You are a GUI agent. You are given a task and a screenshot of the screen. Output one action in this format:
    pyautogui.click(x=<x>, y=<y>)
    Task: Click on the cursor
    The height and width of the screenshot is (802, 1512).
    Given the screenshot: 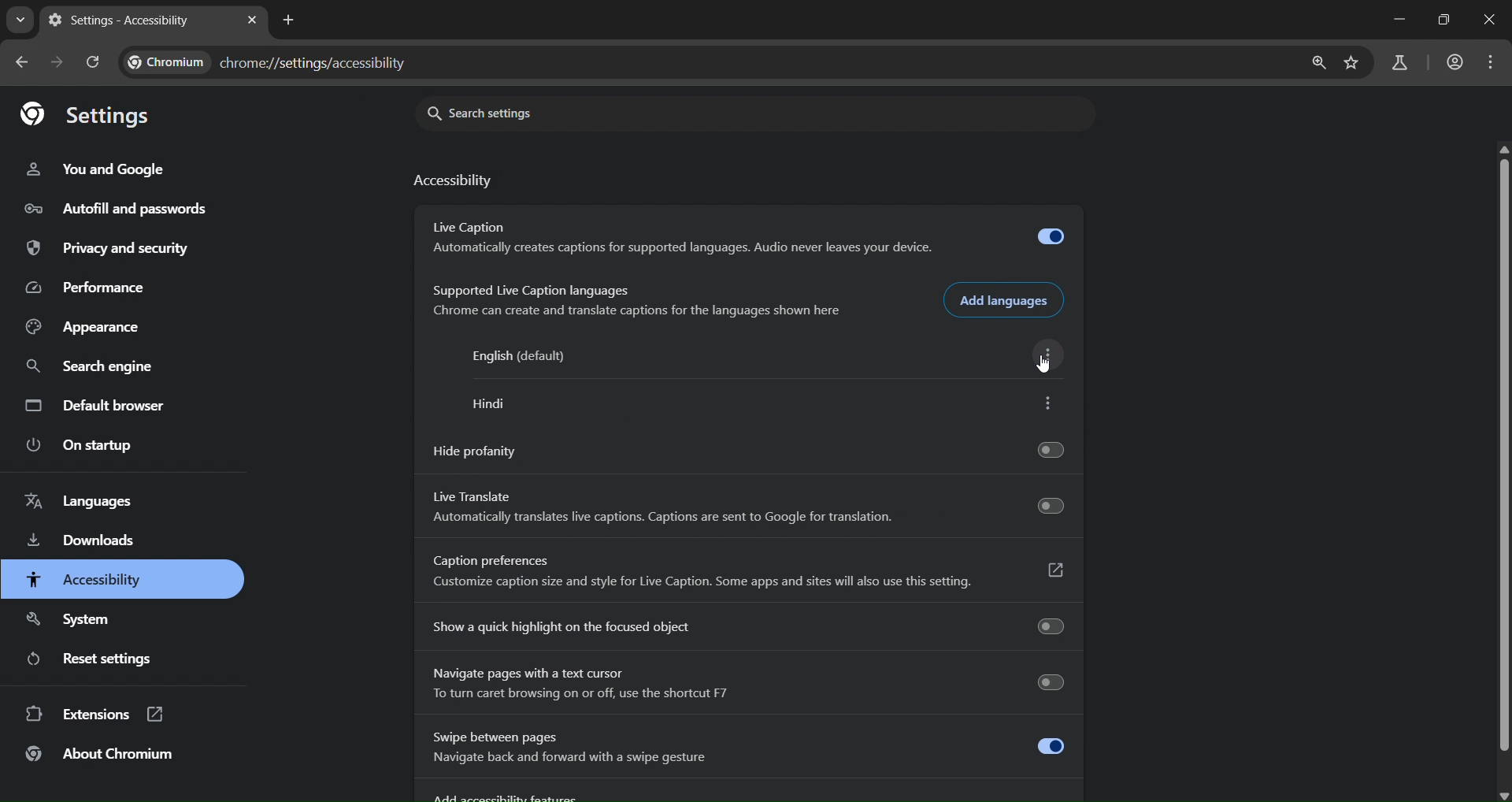 What is the action you would take?
    pyautogui.click(x=1050, y=369)
    